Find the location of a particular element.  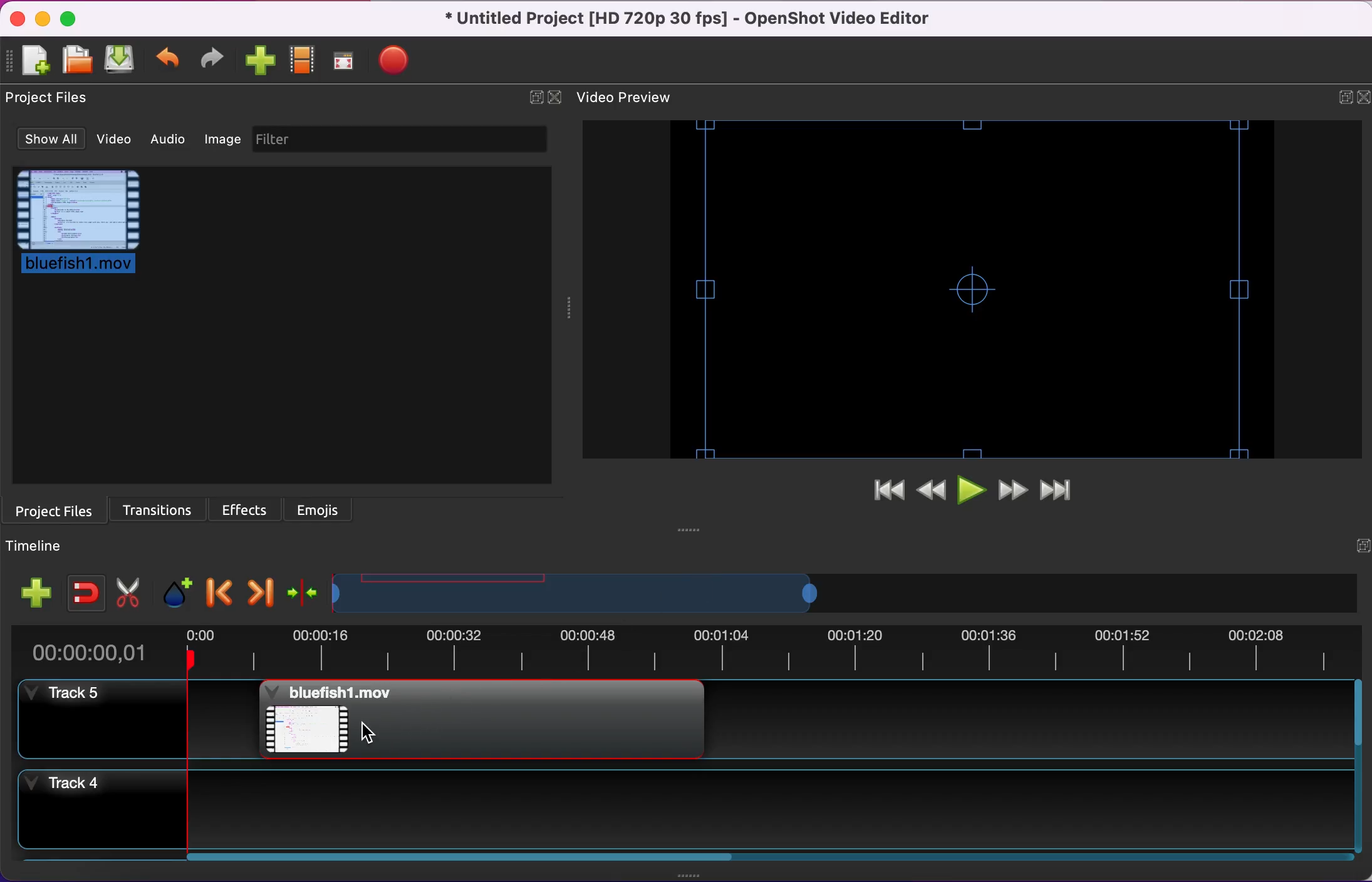

open project is located at coordinates (76, 65).